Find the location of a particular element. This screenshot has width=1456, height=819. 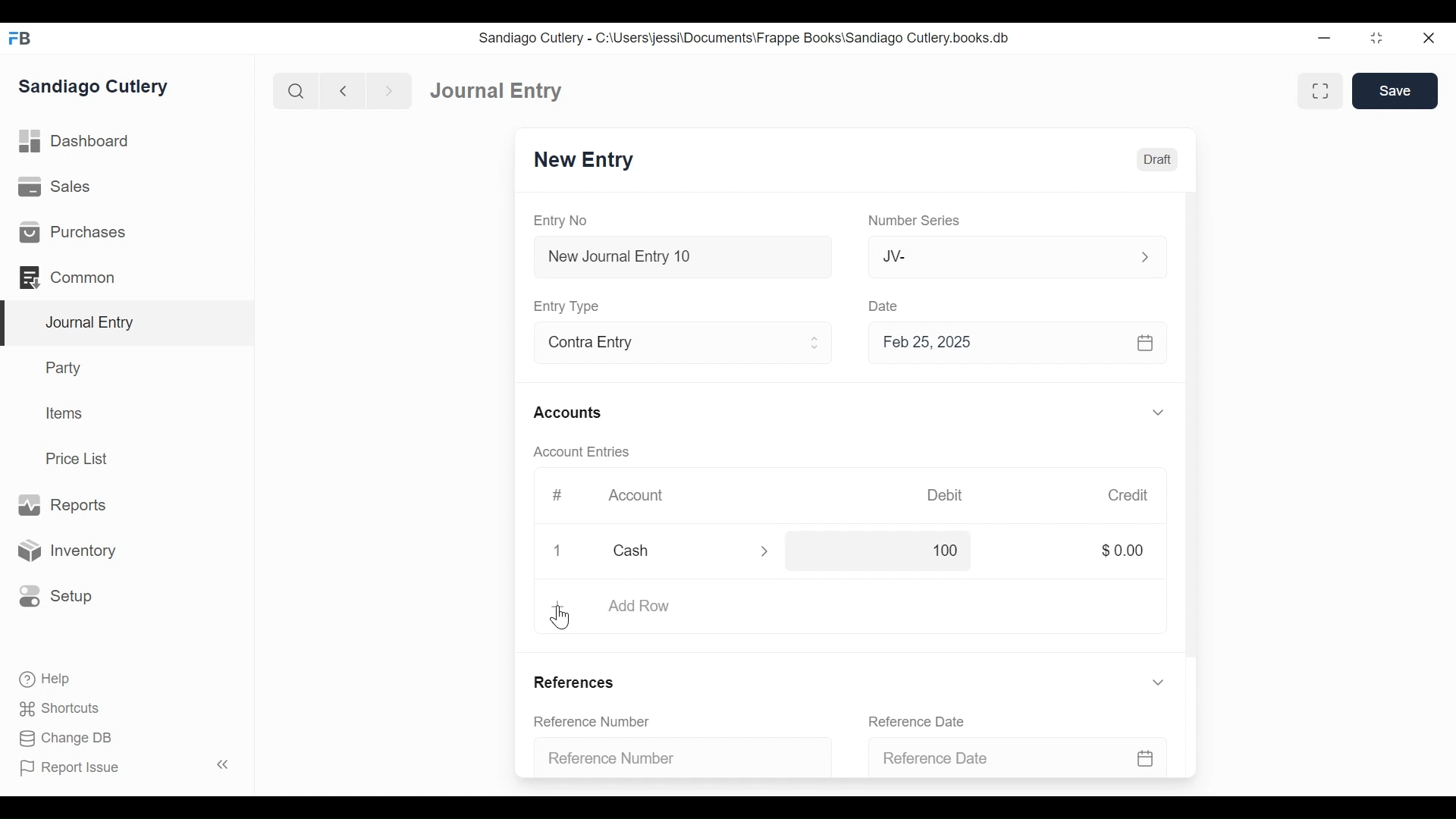

Reference Number is located at coordinates (675, 756).